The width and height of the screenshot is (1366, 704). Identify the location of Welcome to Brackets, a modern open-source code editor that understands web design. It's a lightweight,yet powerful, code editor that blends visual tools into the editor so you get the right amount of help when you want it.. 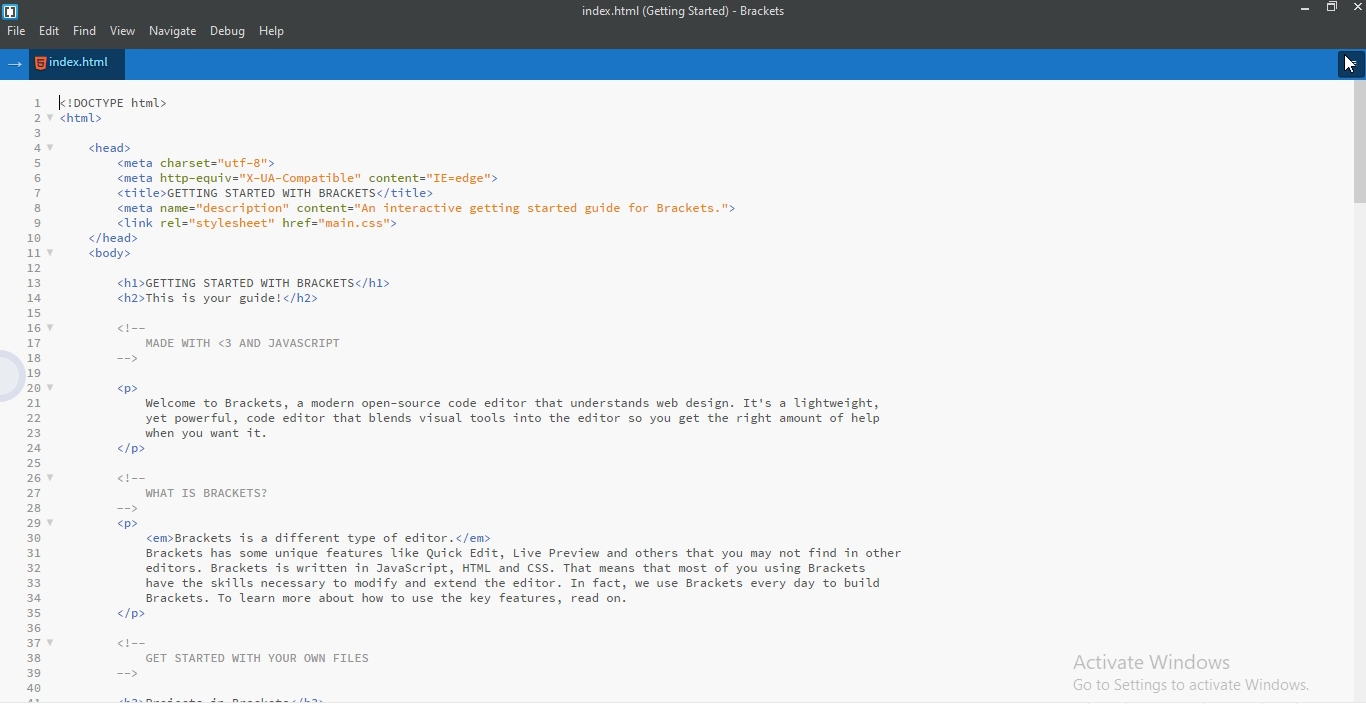
(488, 398).